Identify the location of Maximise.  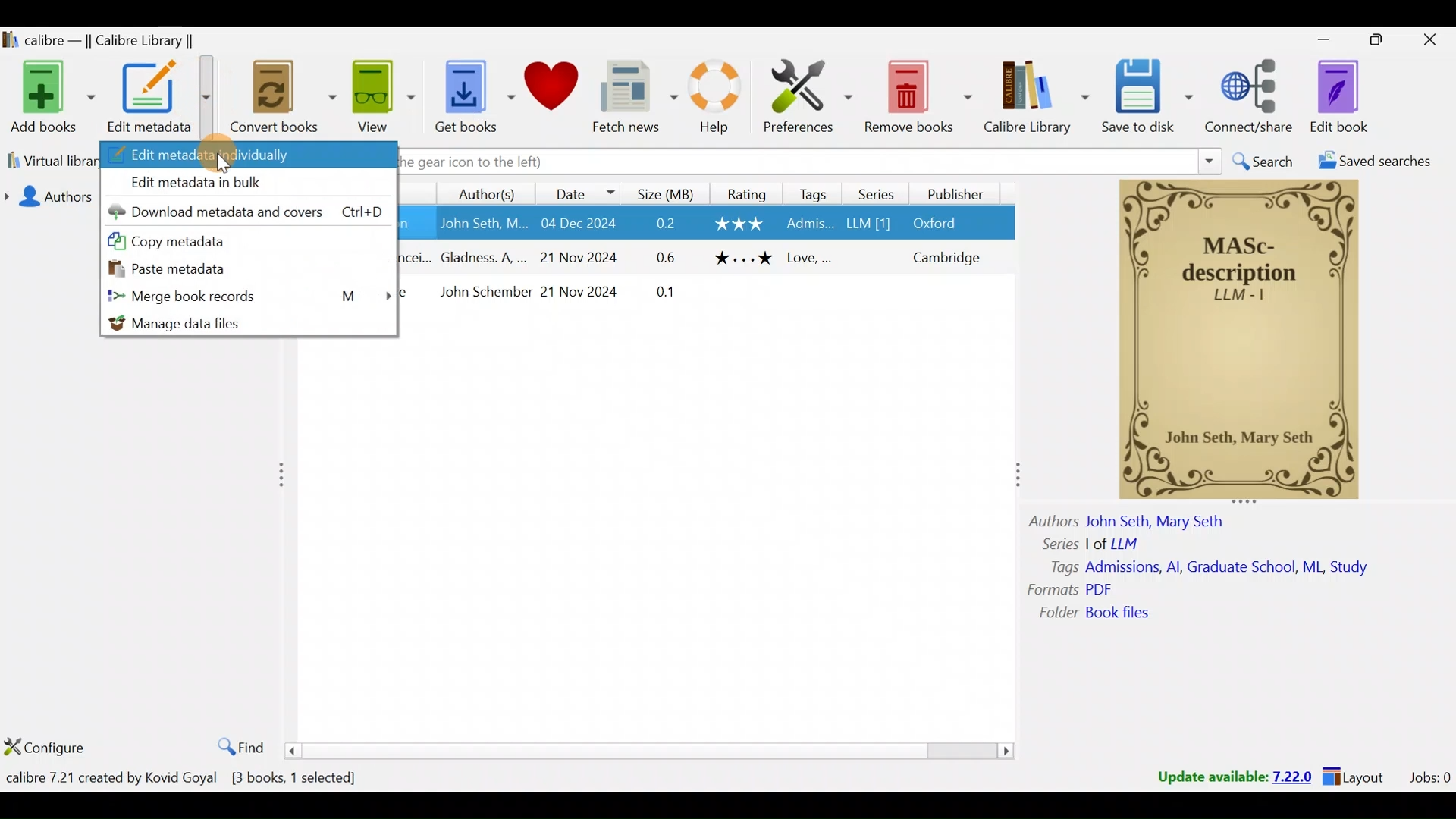
(1379, 40).